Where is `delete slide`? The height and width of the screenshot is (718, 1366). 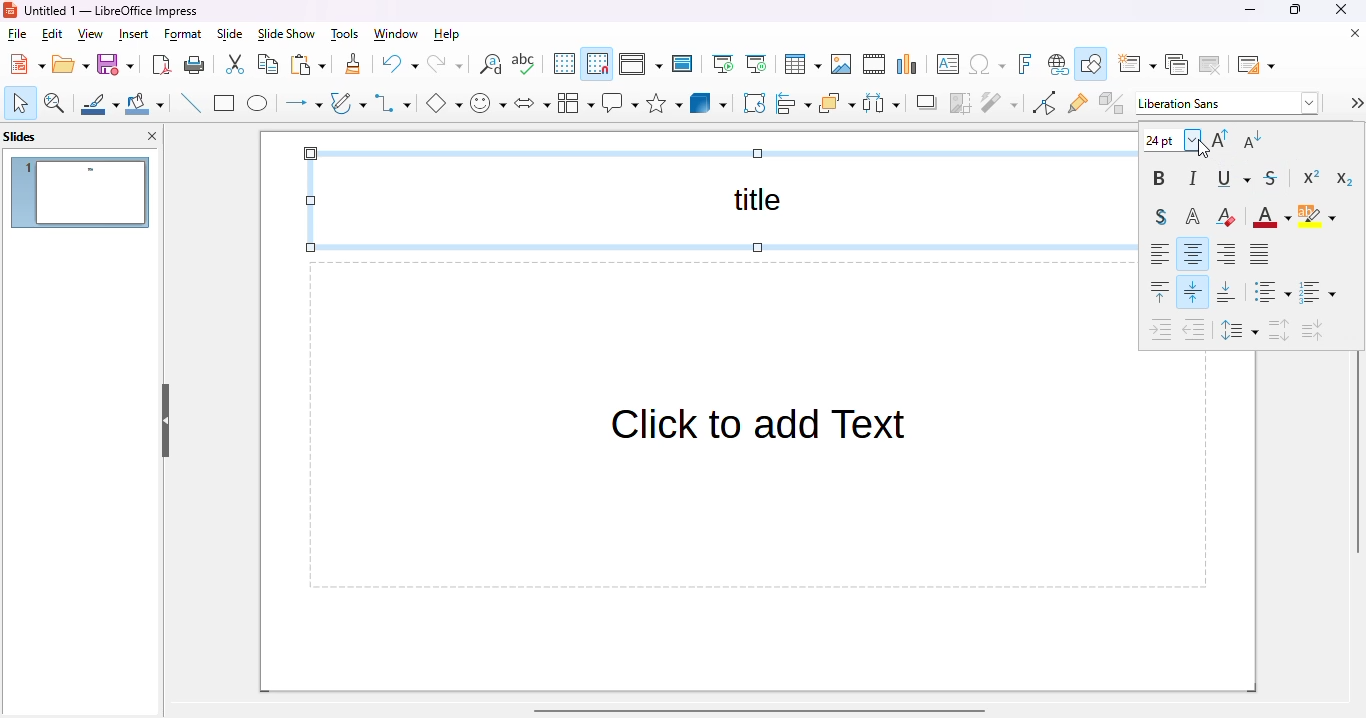
delete slide is located at coordinates (1210, 65).